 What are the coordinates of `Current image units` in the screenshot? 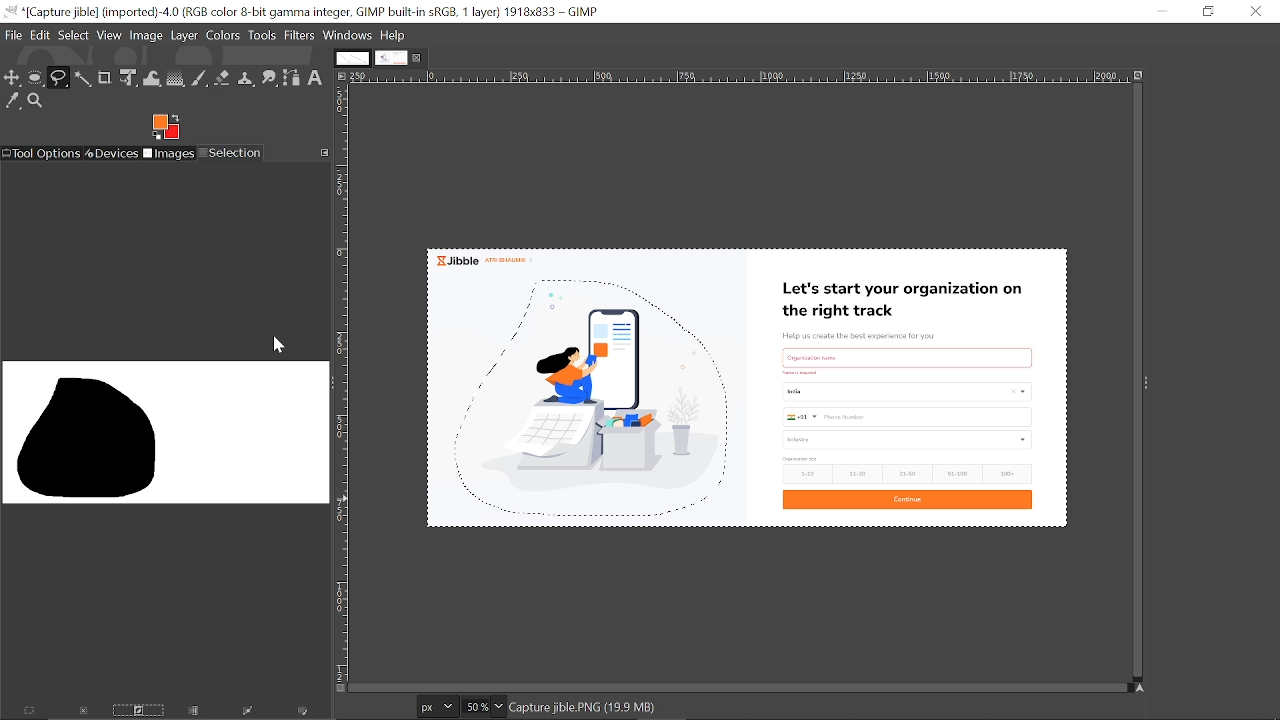 It's located at (436, 707).